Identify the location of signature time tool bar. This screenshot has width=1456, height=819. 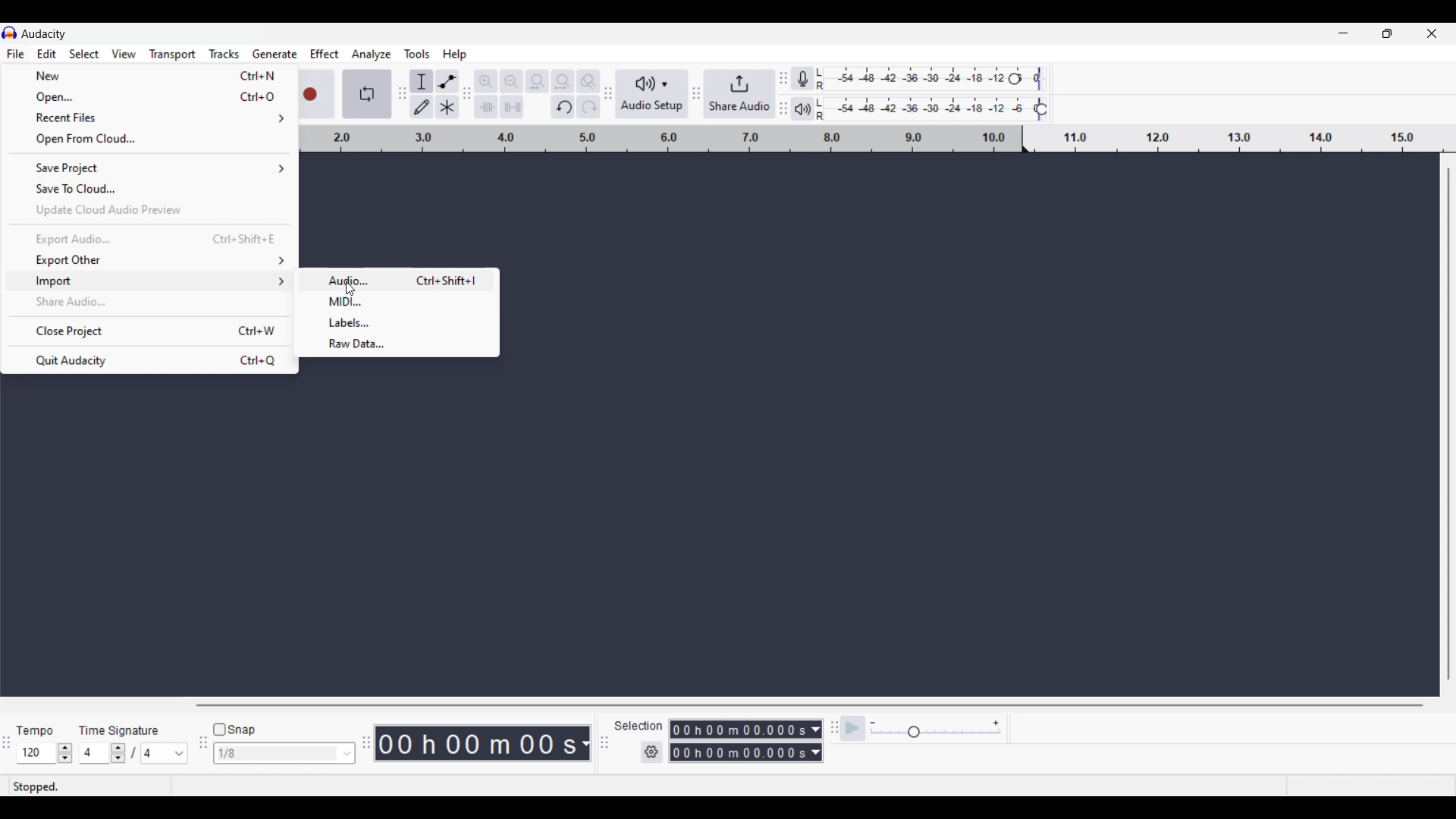
(832, 727).